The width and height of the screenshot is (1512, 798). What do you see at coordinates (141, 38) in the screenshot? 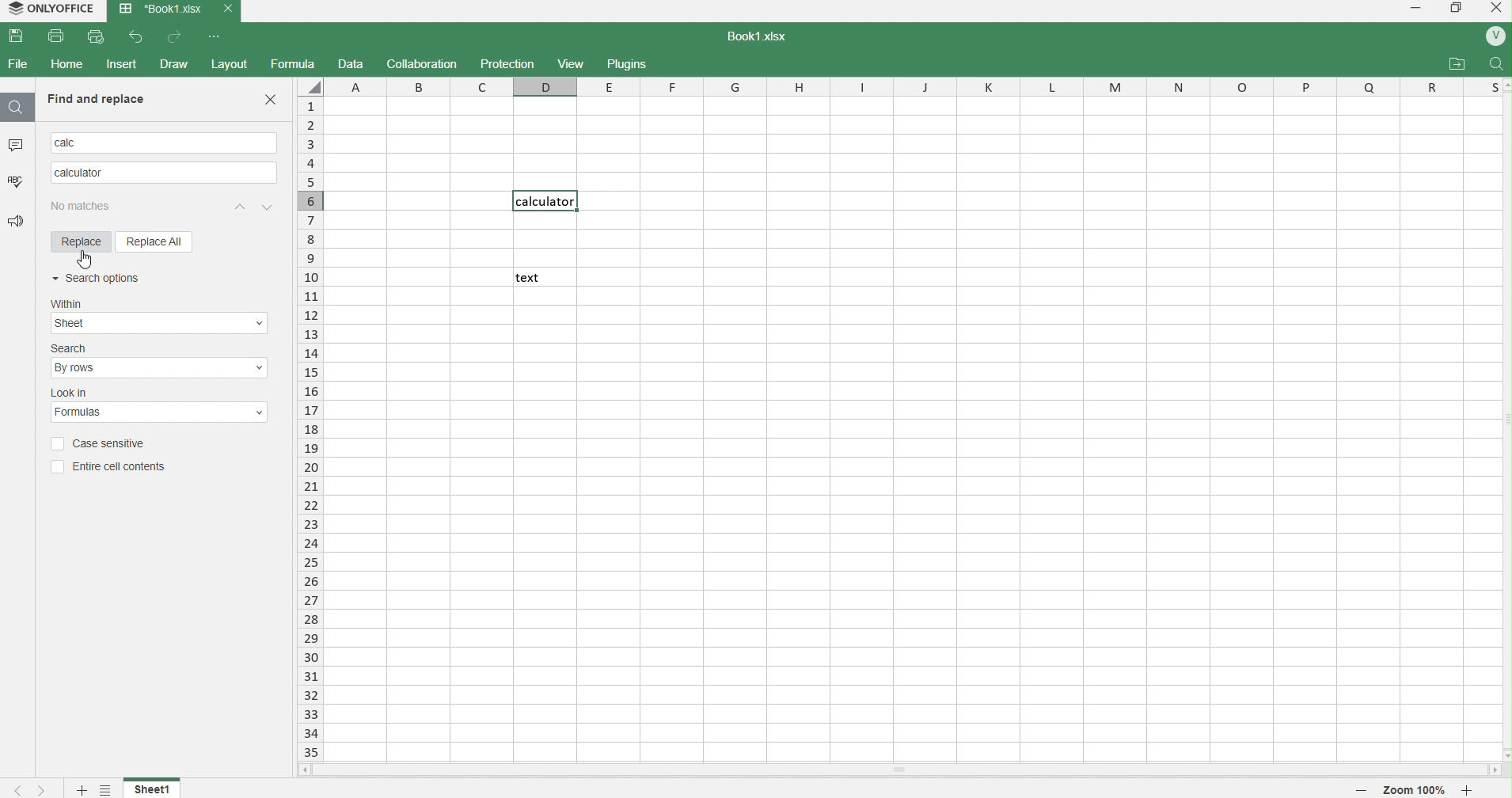
I see `undo` at bounding box center [141, 38].